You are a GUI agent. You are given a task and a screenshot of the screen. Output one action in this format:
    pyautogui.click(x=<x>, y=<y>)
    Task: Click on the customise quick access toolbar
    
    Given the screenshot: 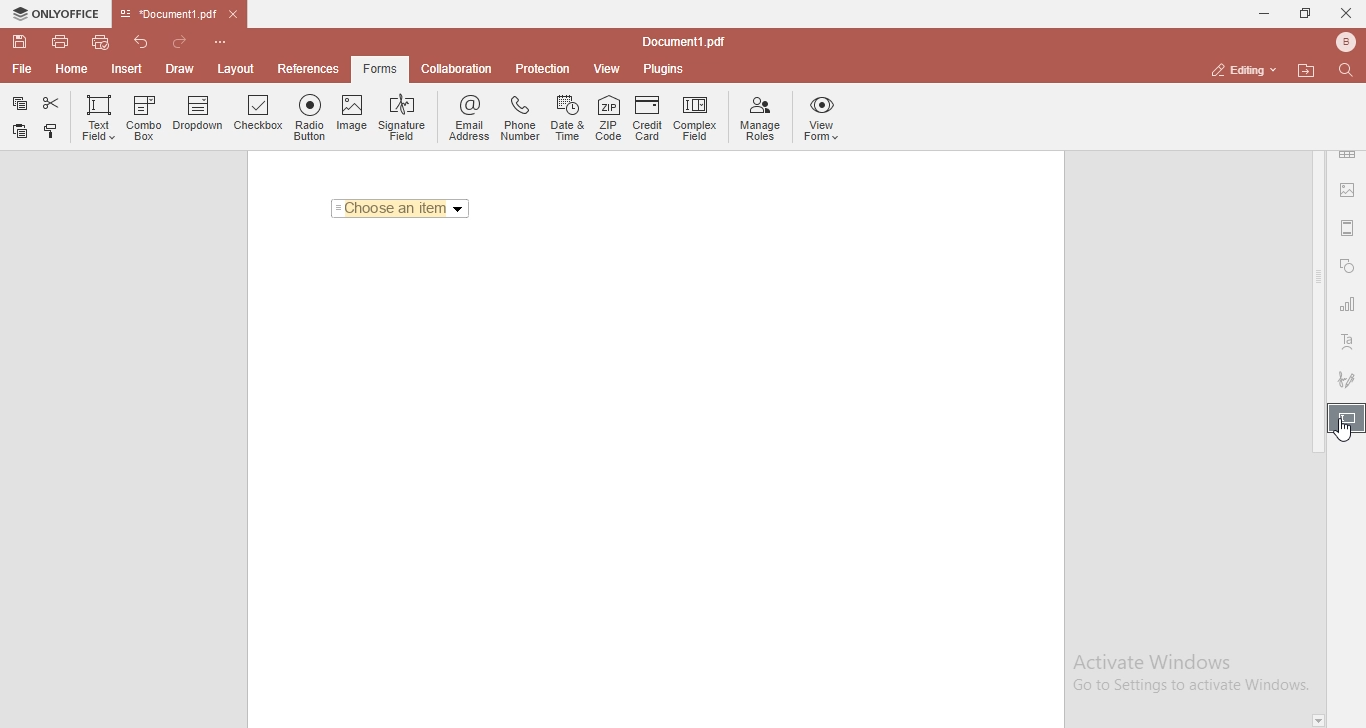 What is the action you would take?
    pyautogui.click(x=224, y=41)
    